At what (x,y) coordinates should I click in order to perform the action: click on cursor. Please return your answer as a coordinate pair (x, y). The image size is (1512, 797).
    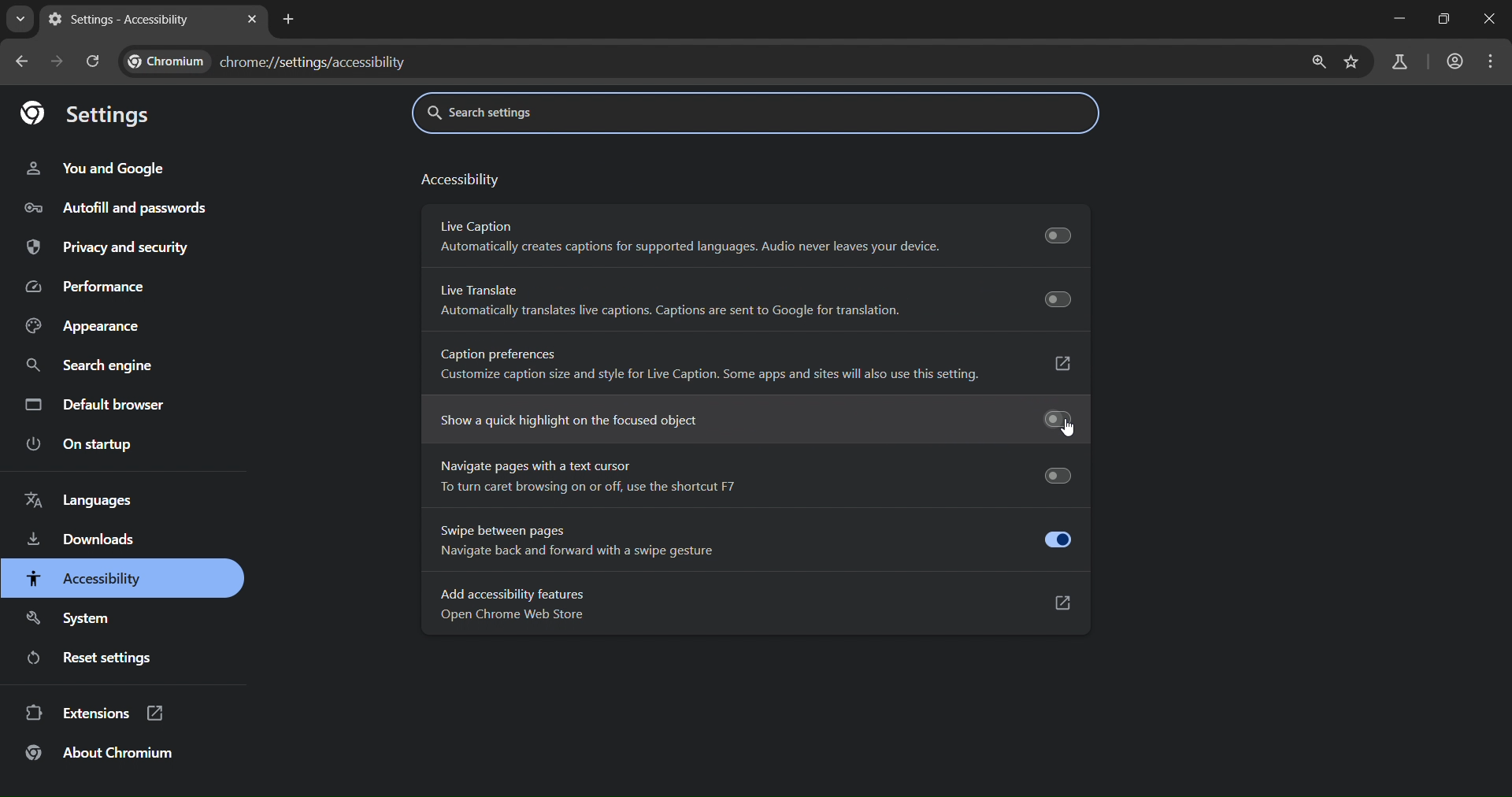
    Looking at the image, I should click on (1069, 432).